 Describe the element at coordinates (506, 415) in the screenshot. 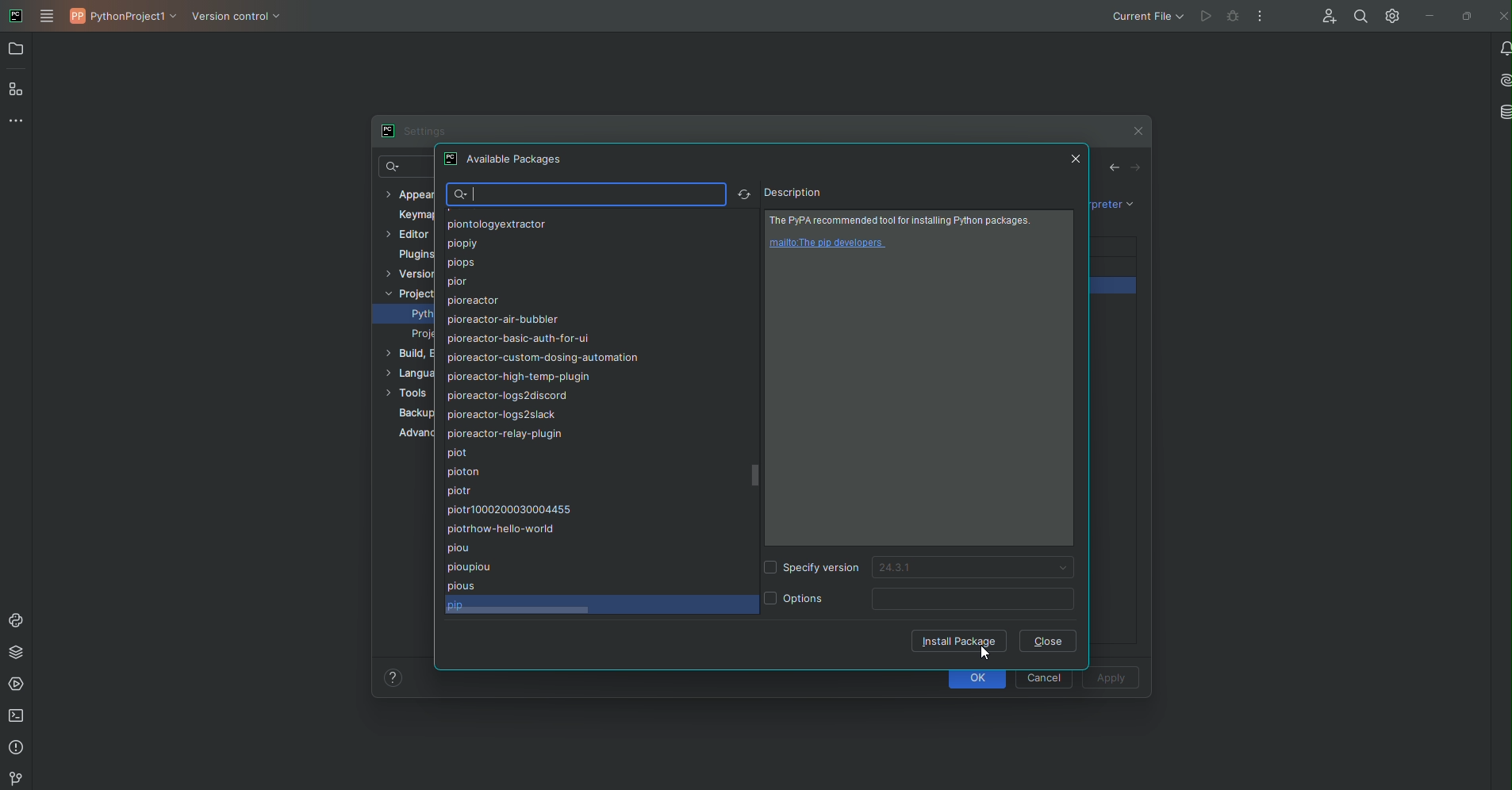

I see `pioreactor-log2slack` at that location.